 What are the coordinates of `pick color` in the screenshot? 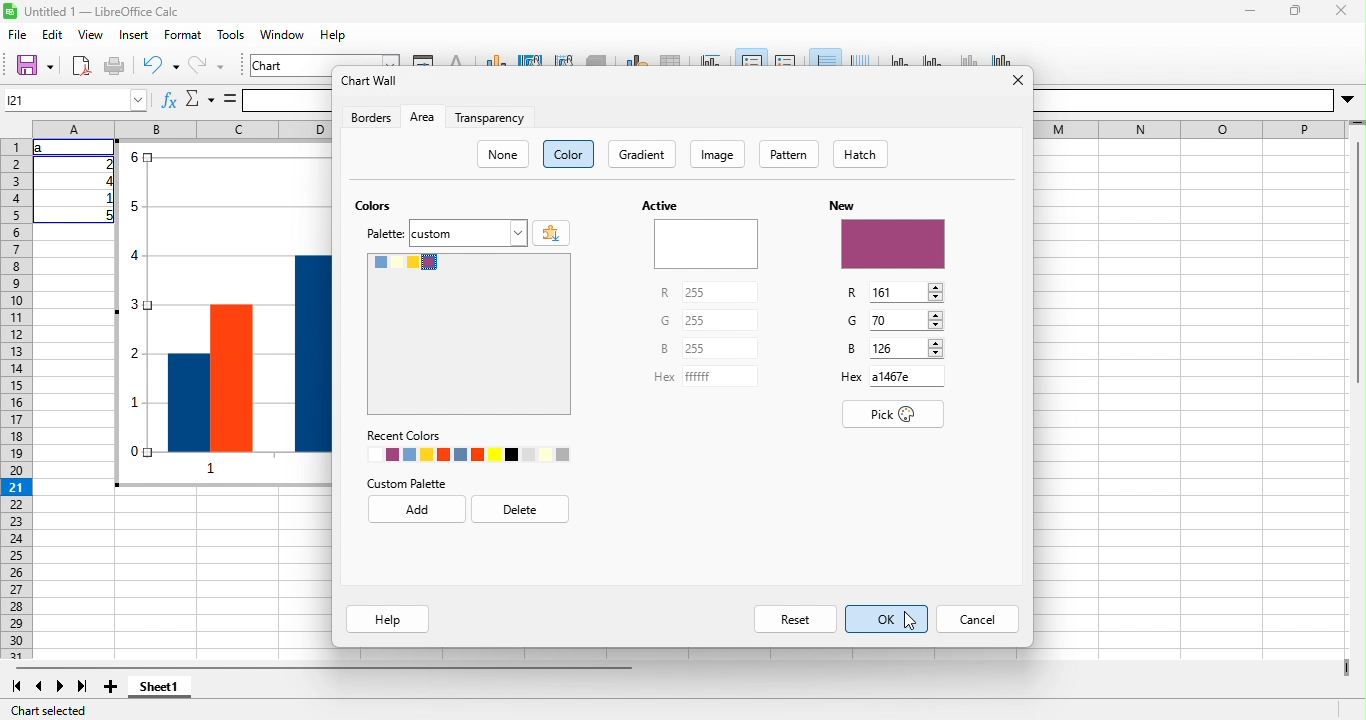 It's located at (893, 414).